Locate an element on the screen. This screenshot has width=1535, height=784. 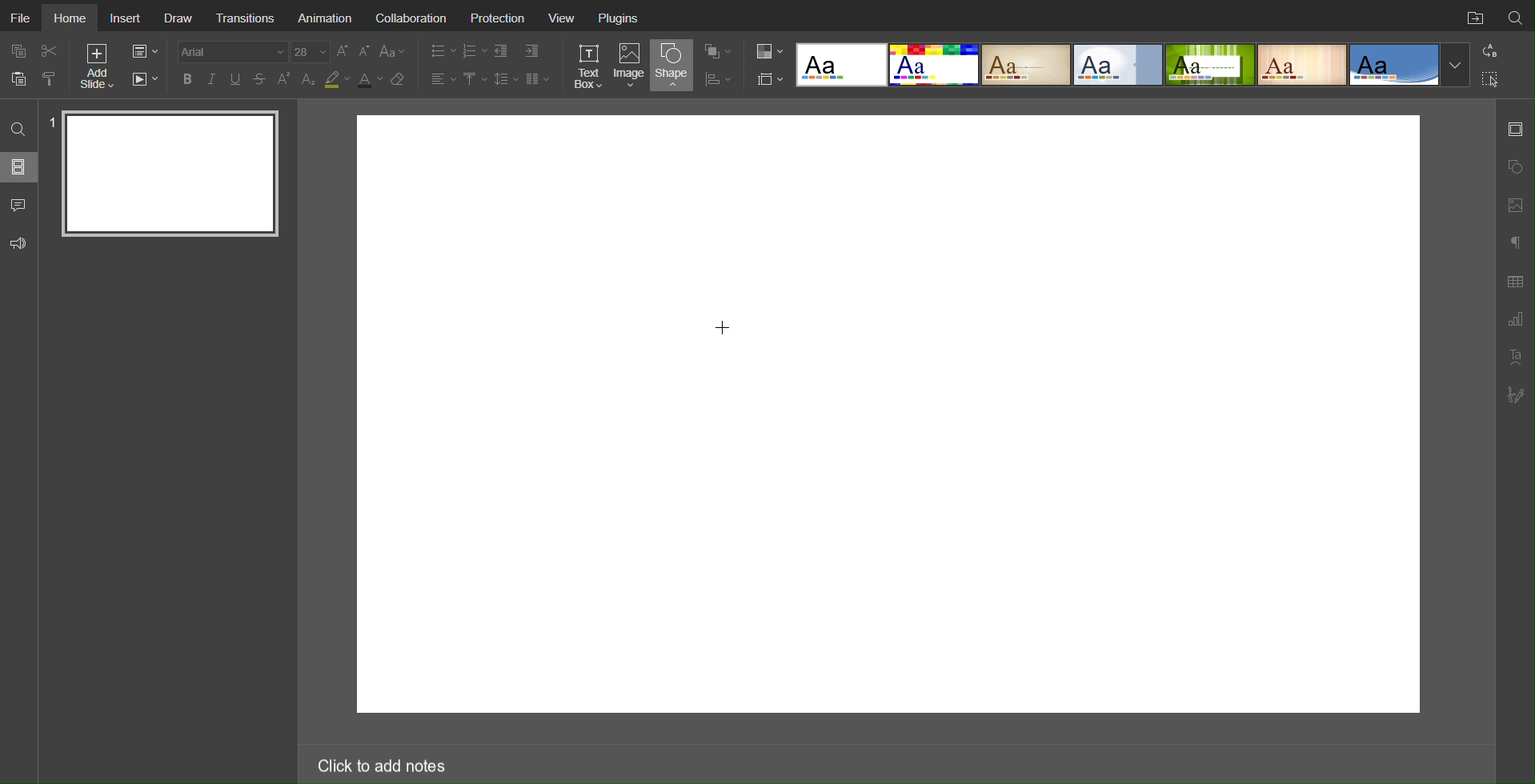
Slides is located at coordinates (20, 166).